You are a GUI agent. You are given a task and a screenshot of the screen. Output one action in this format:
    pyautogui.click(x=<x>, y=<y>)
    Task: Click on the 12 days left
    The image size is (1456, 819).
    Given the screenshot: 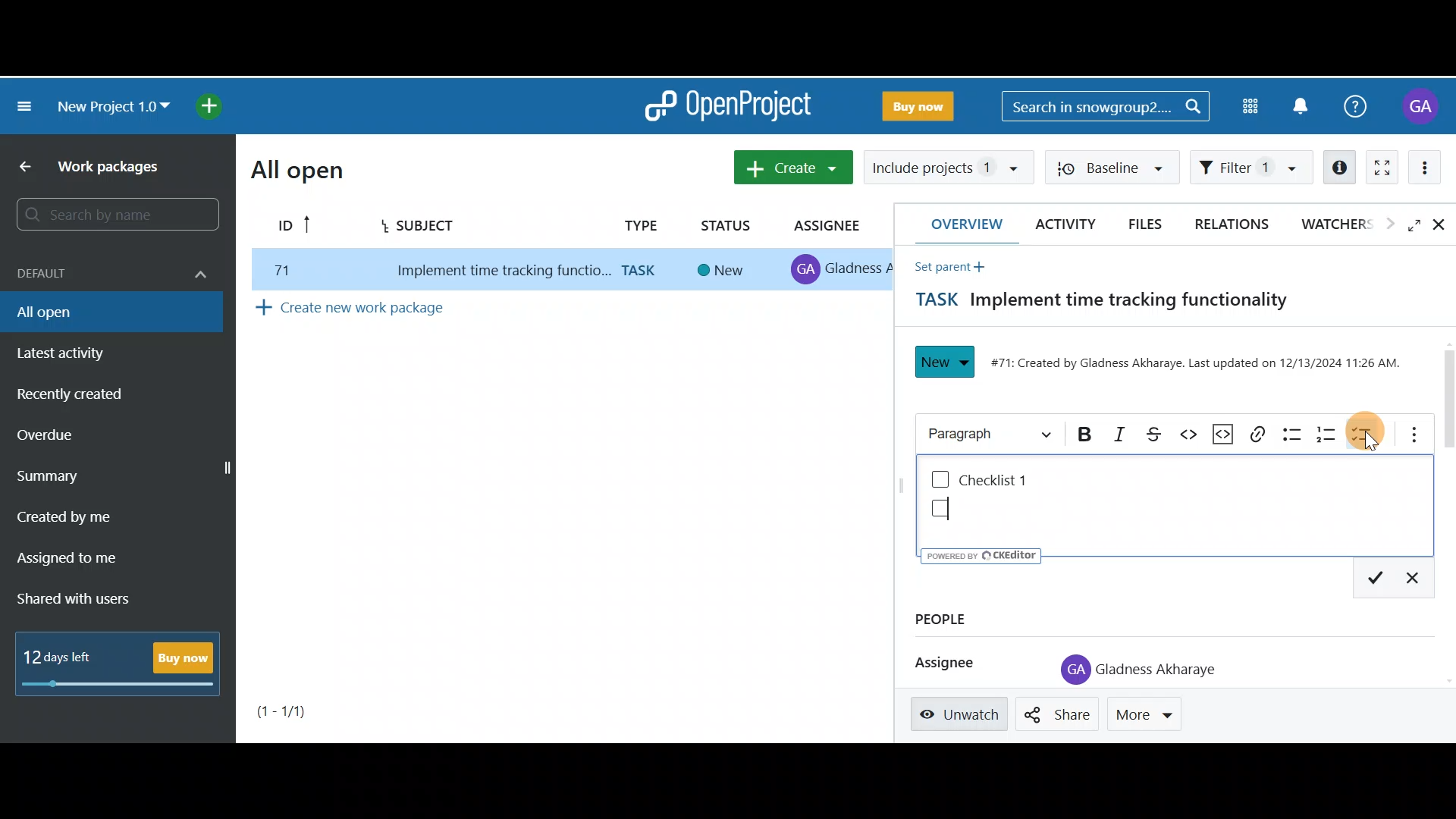 What is the action you would take?
    pyautogui.click(x=61, y=657)
    